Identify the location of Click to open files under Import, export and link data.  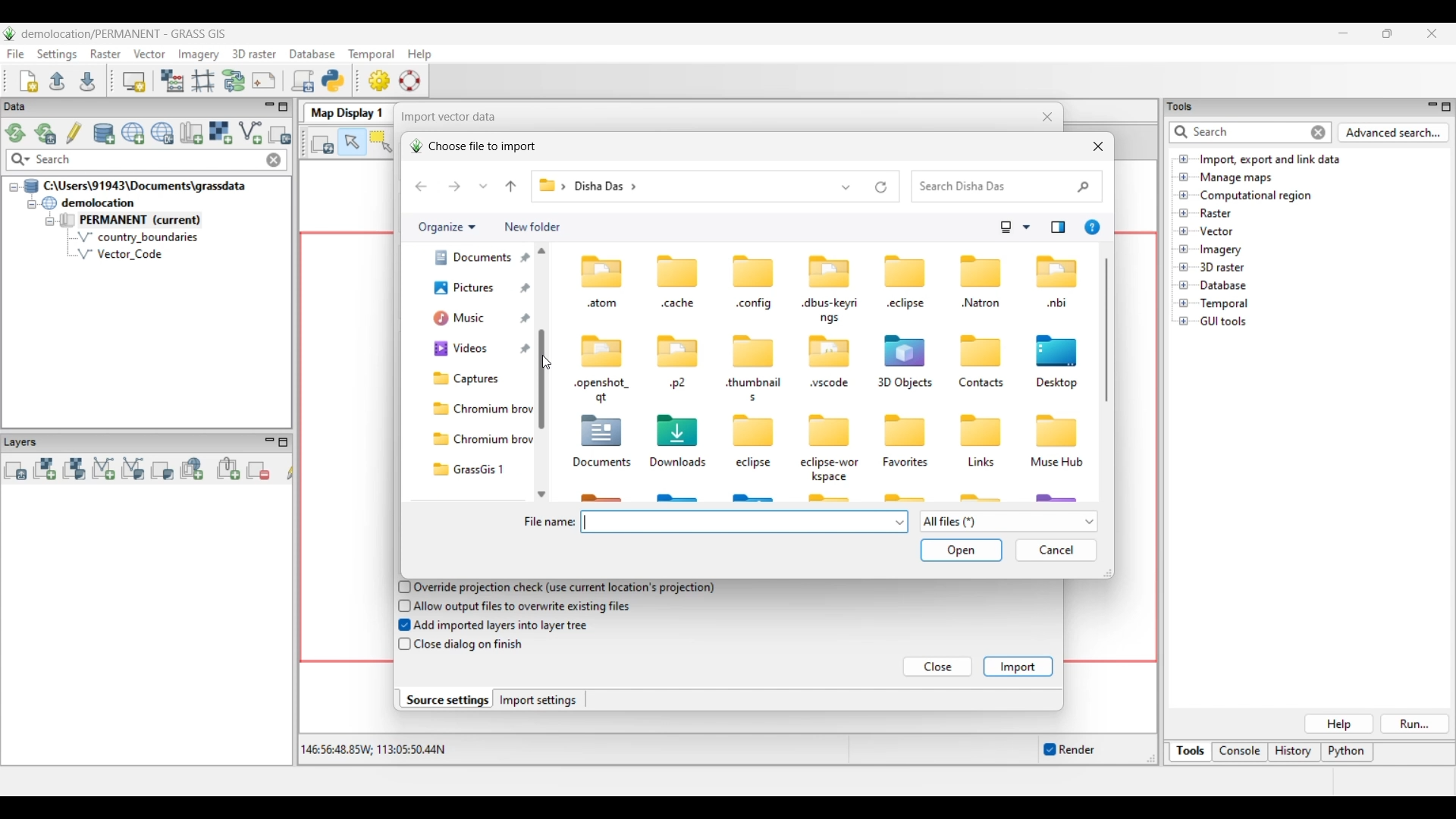
(1184, 158).